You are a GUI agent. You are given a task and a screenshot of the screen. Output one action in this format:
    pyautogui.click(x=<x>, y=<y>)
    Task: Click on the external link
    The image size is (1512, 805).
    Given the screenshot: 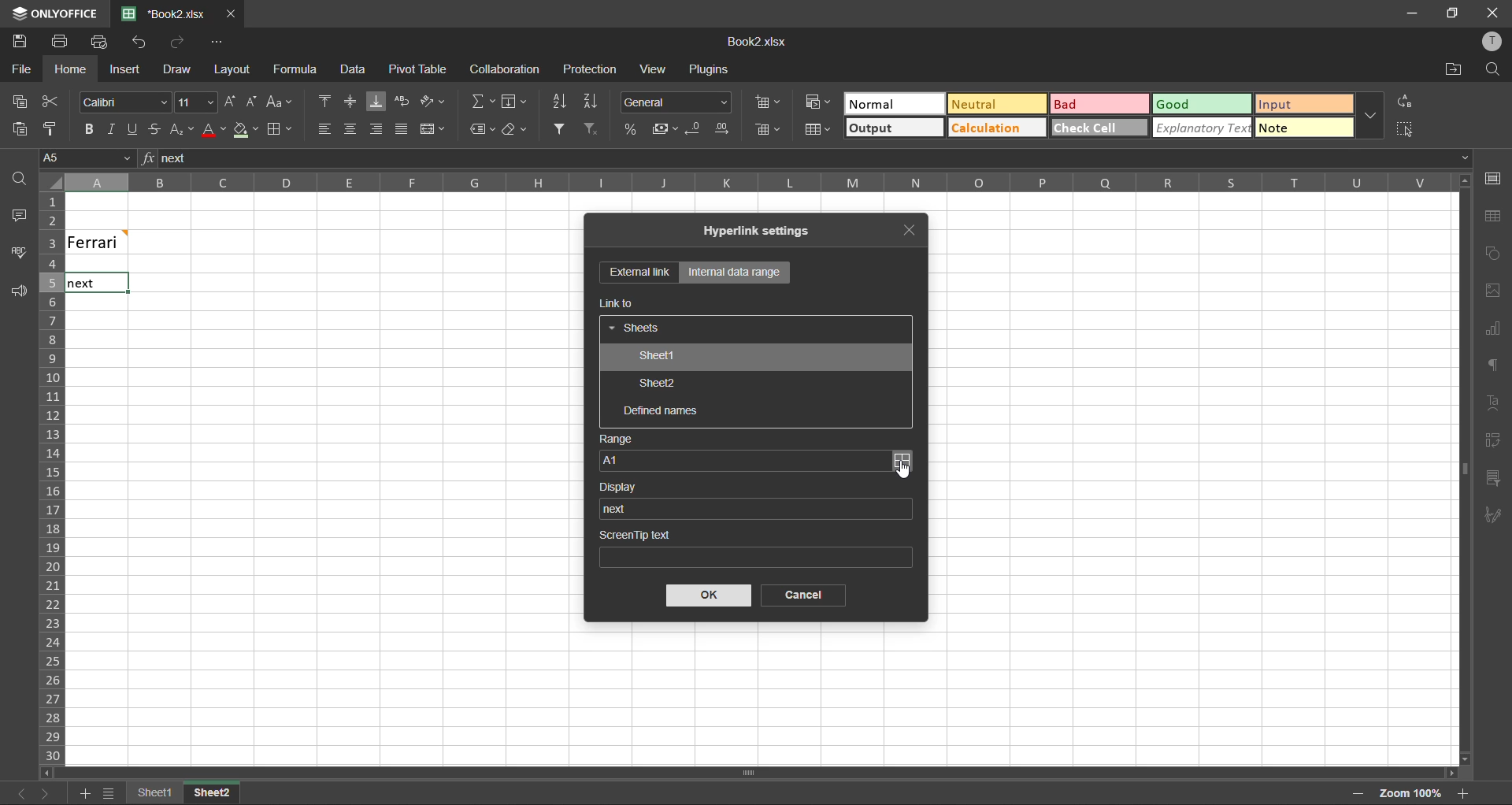 What is the action you would take?
    pyautogui.click(x=639, y=273)
    